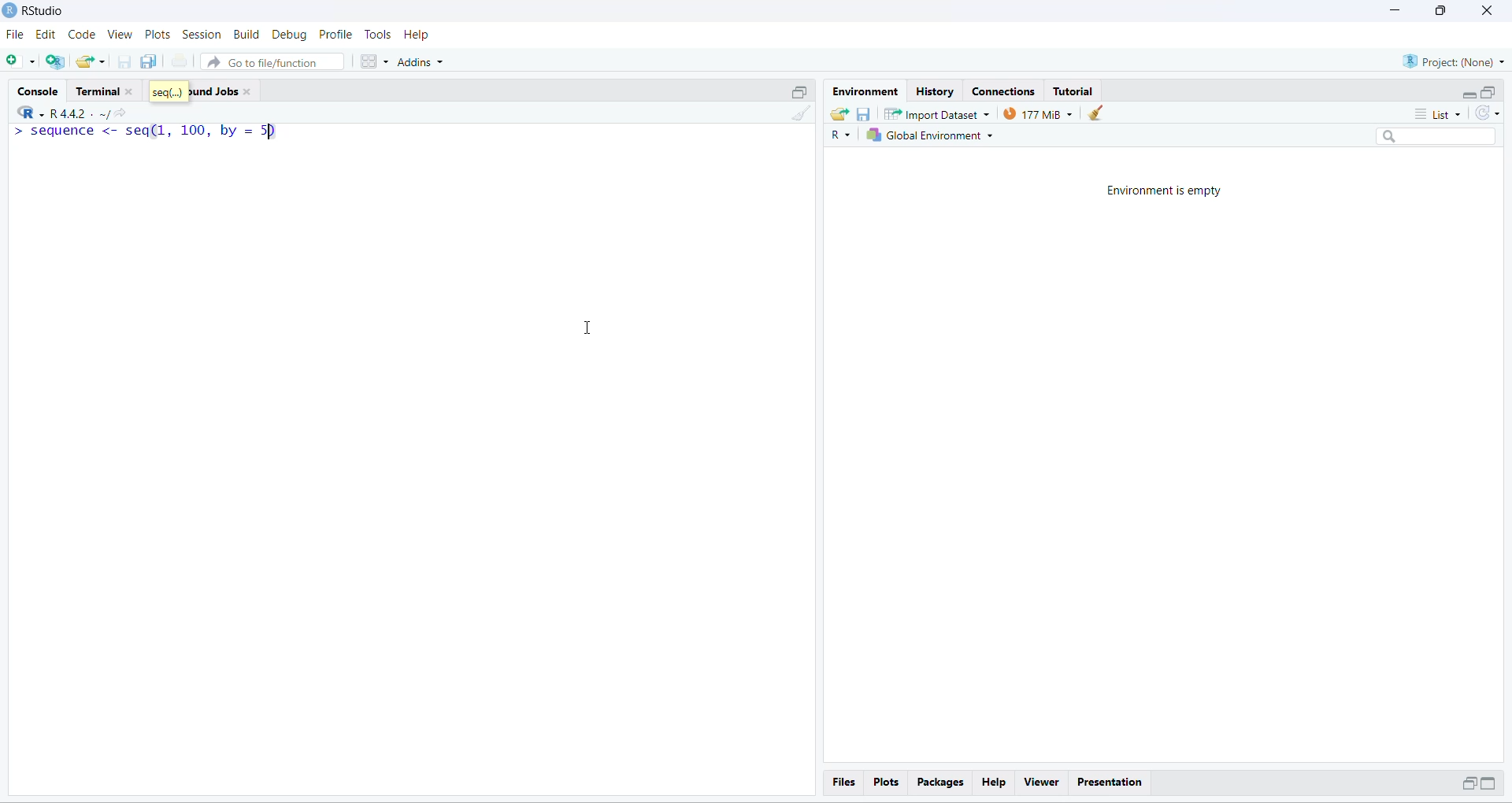  Describe the element at coordinates (1438, 114) in the screenshot. I see `list` at that location.